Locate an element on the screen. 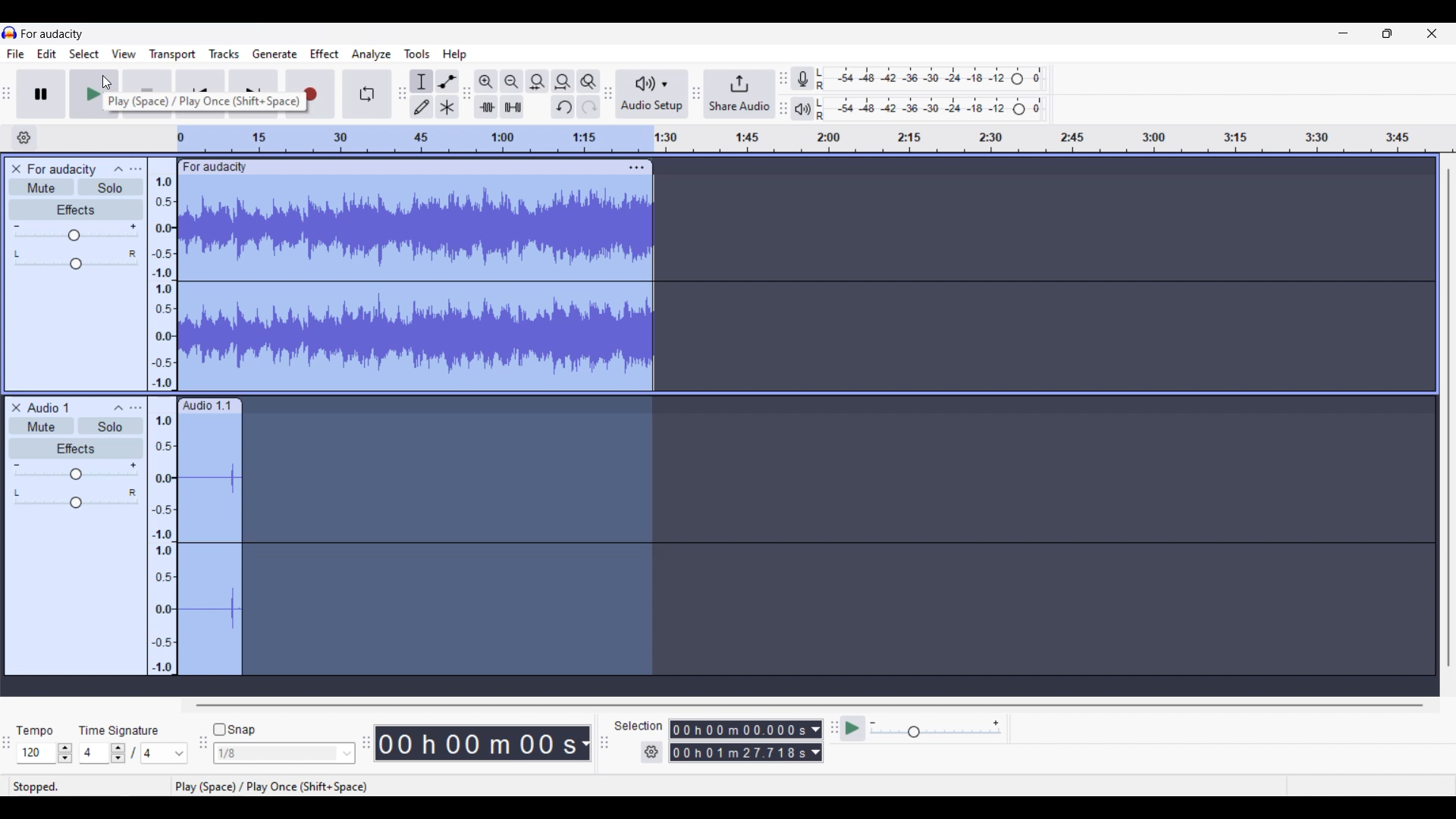 Image resolution: width=1456 pixels, height=819 pixels. audio 1.1 is located at coordinates (209, 406).